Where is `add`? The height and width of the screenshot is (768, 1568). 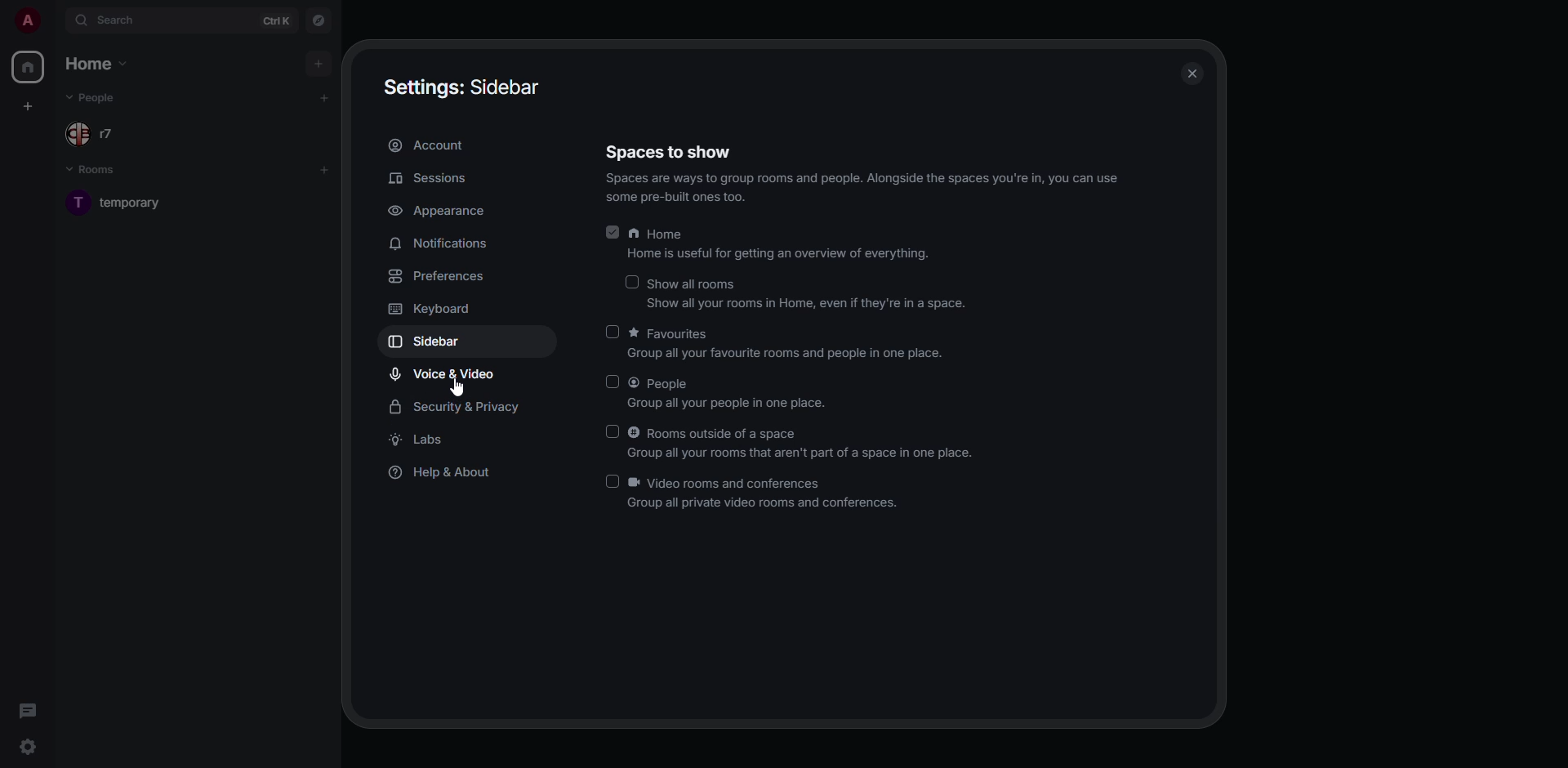 add is located at coordinates (321, 63).